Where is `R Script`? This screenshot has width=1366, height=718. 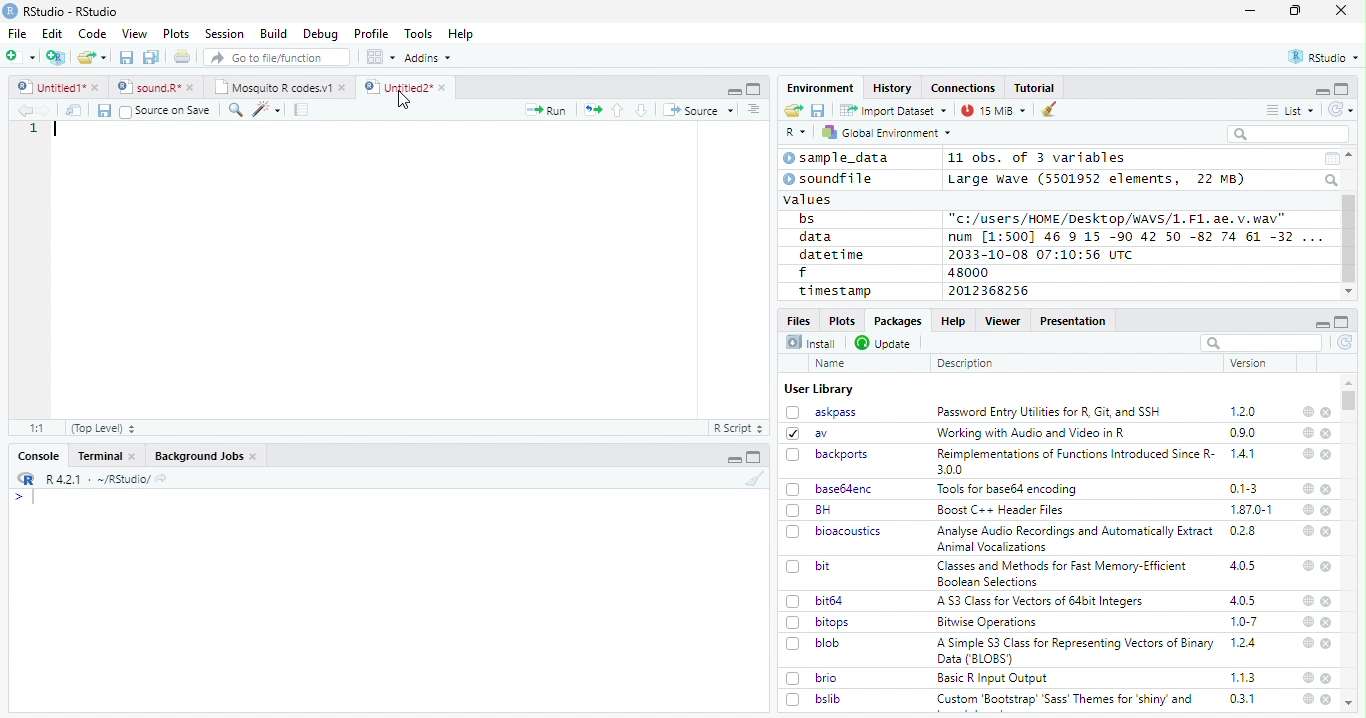
R Script is located at coordinates (737, 429).